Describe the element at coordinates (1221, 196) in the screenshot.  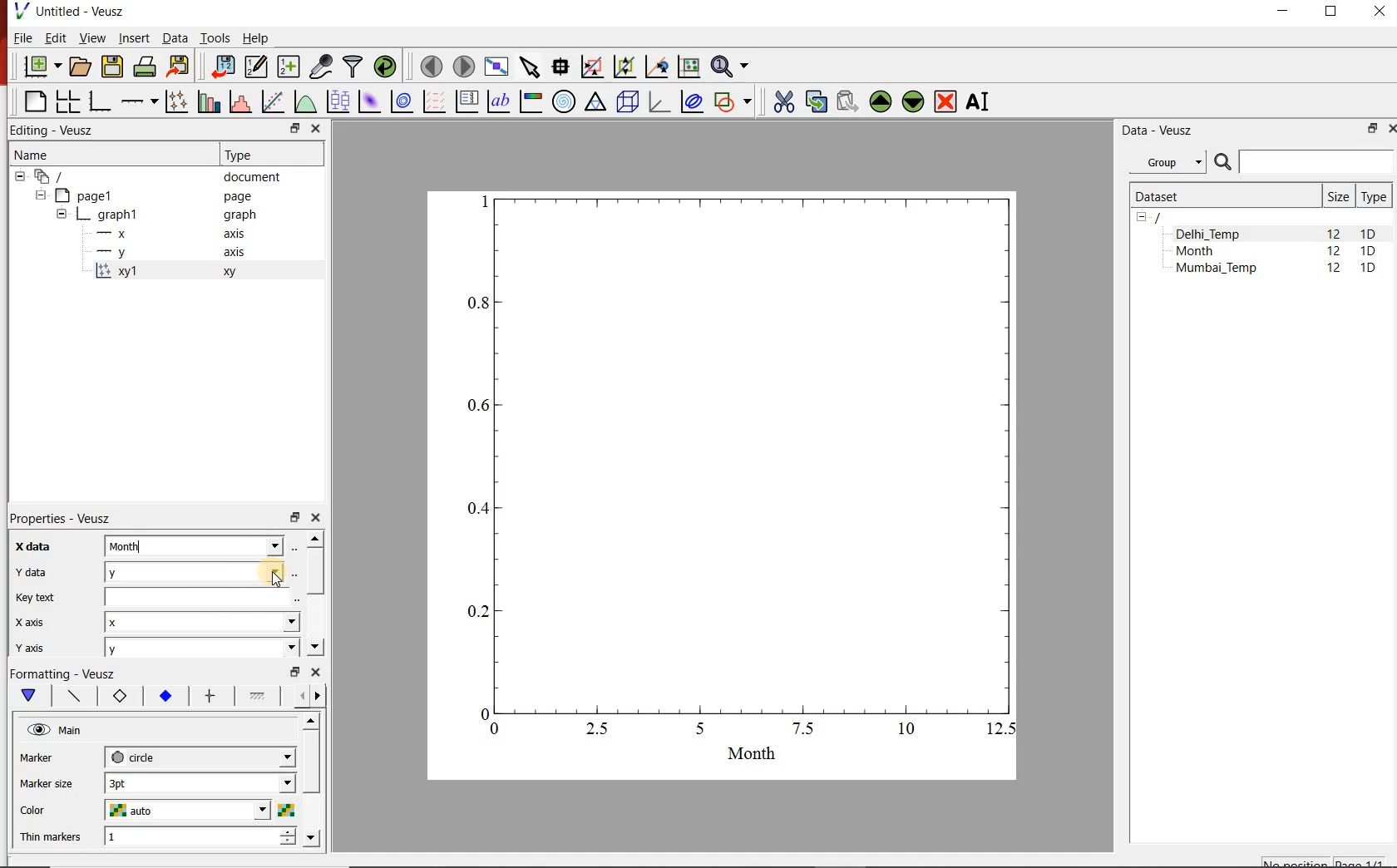
I see `Dataset` at that location.